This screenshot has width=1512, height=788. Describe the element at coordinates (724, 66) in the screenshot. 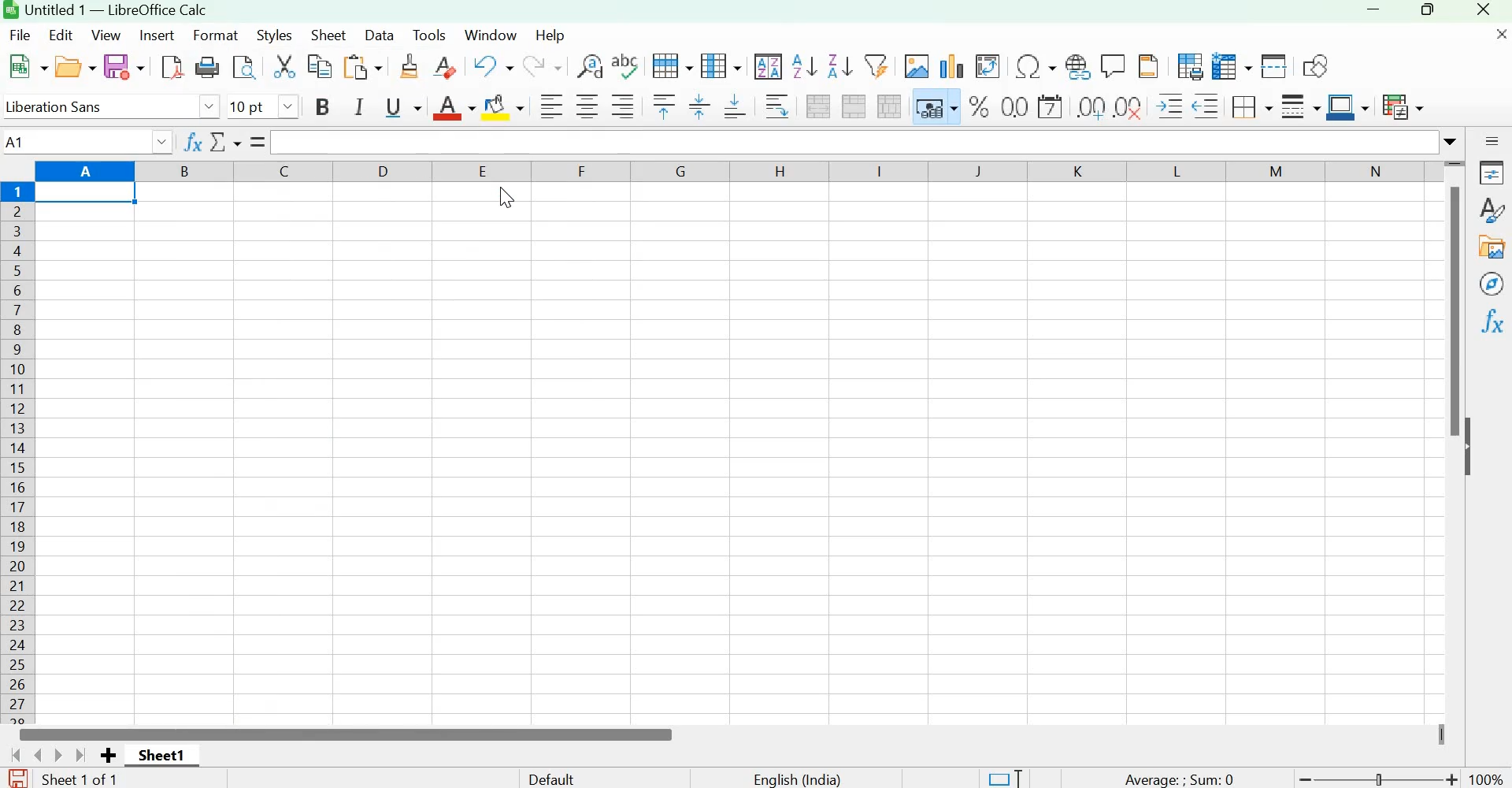

I see `Column` at that location.